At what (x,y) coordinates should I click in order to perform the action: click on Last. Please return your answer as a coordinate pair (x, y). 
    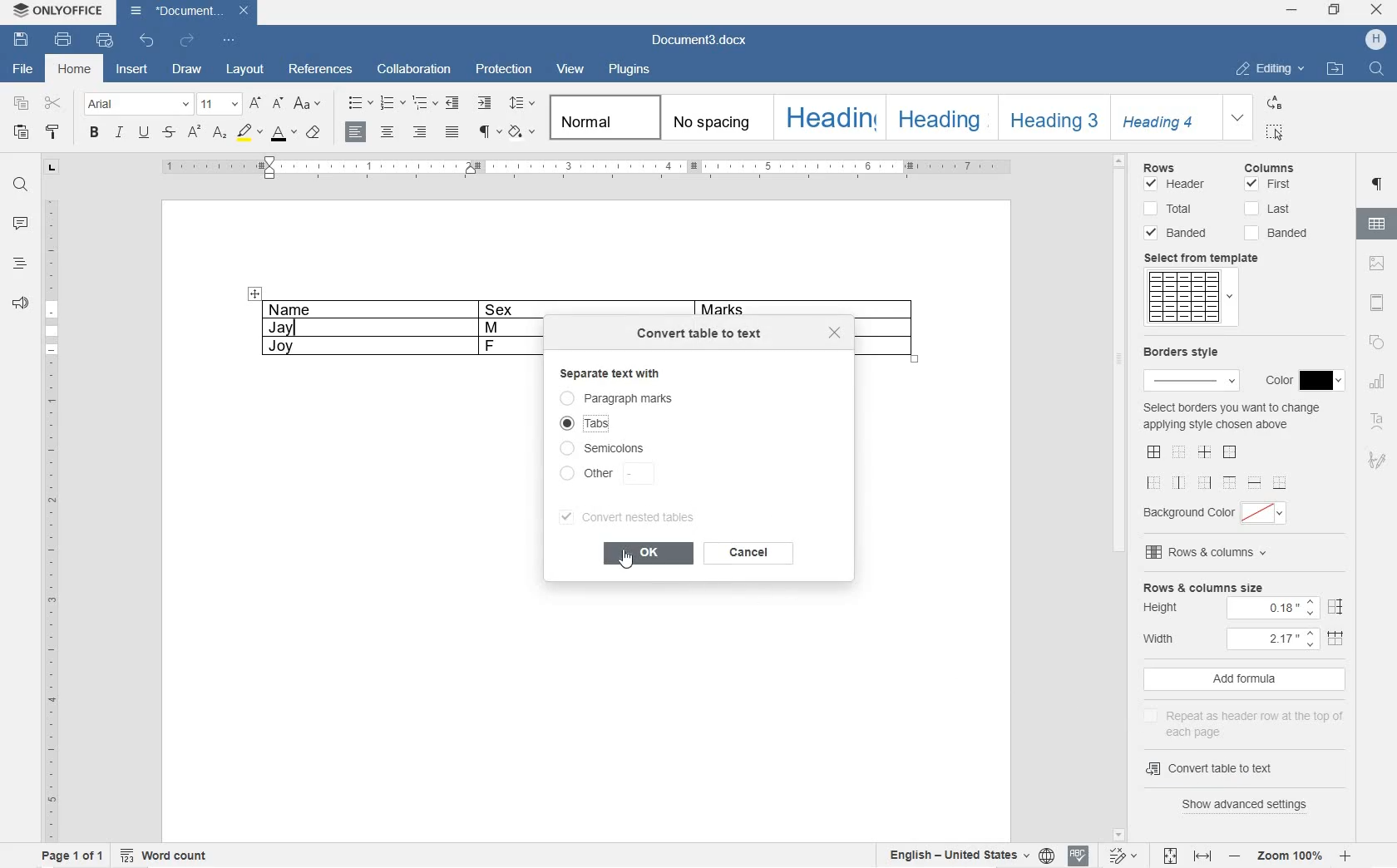
    Looking at the image, I should click on (1268, 209).